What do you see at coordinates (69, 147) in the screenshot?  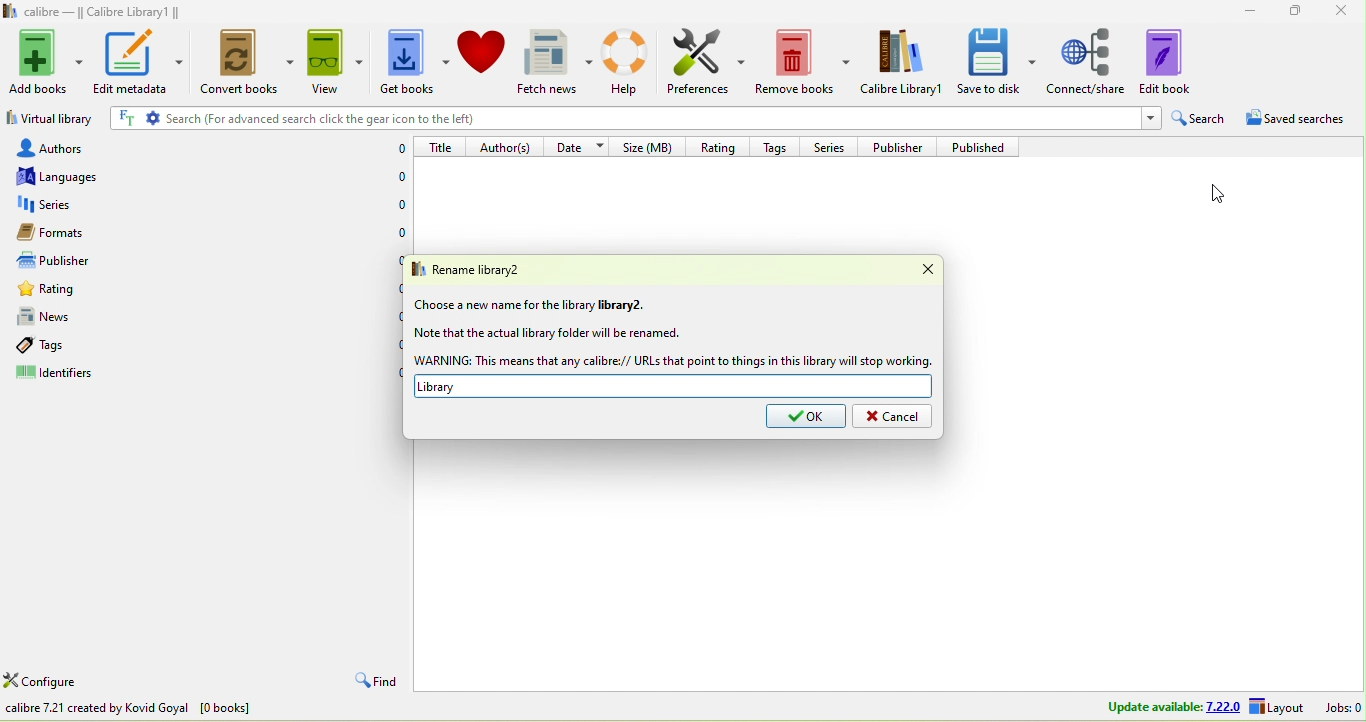 I see `authors` at bounding box center [69, 147].